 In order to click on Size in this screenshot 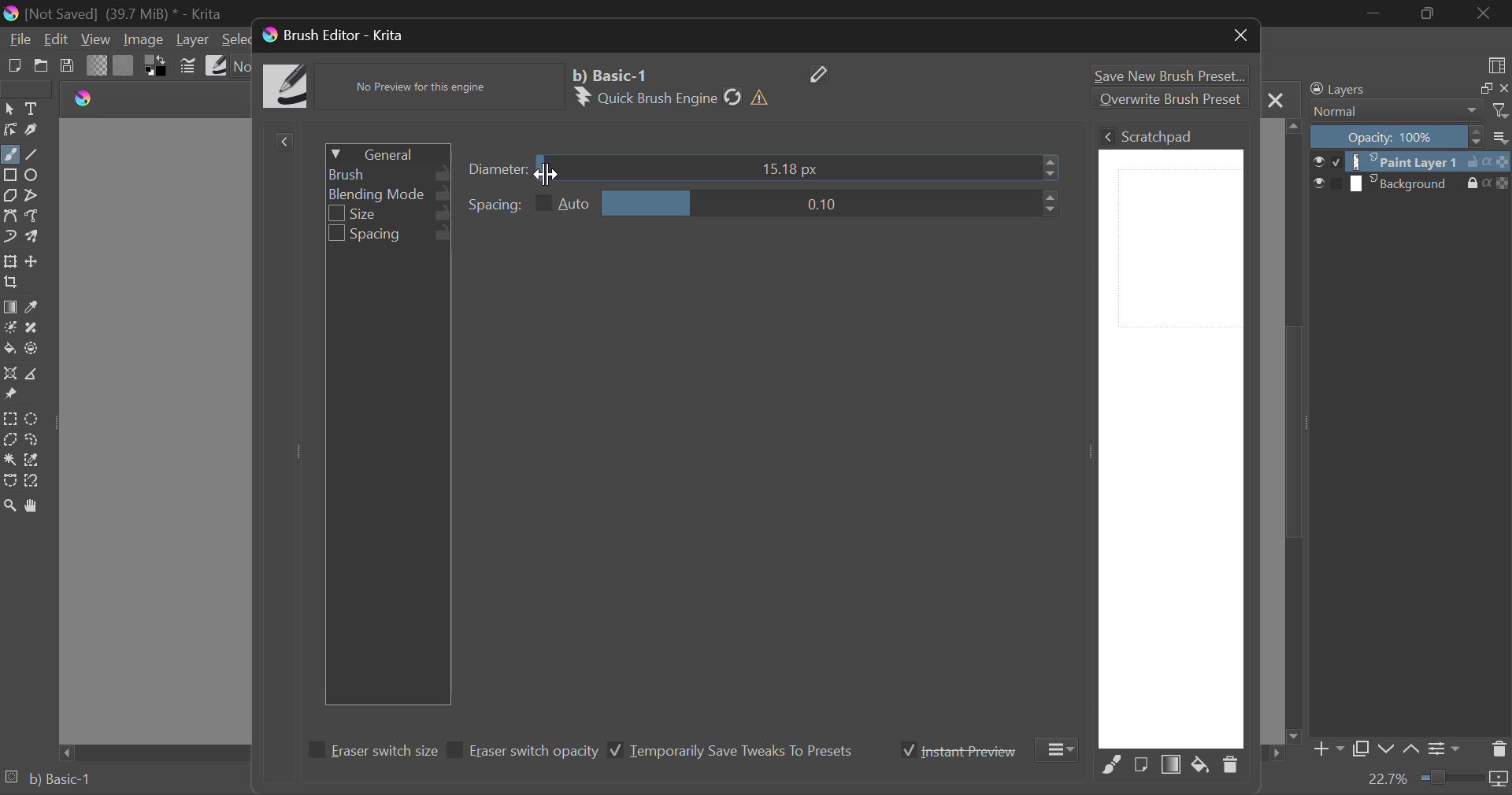, I will do `click(391, 215)`.